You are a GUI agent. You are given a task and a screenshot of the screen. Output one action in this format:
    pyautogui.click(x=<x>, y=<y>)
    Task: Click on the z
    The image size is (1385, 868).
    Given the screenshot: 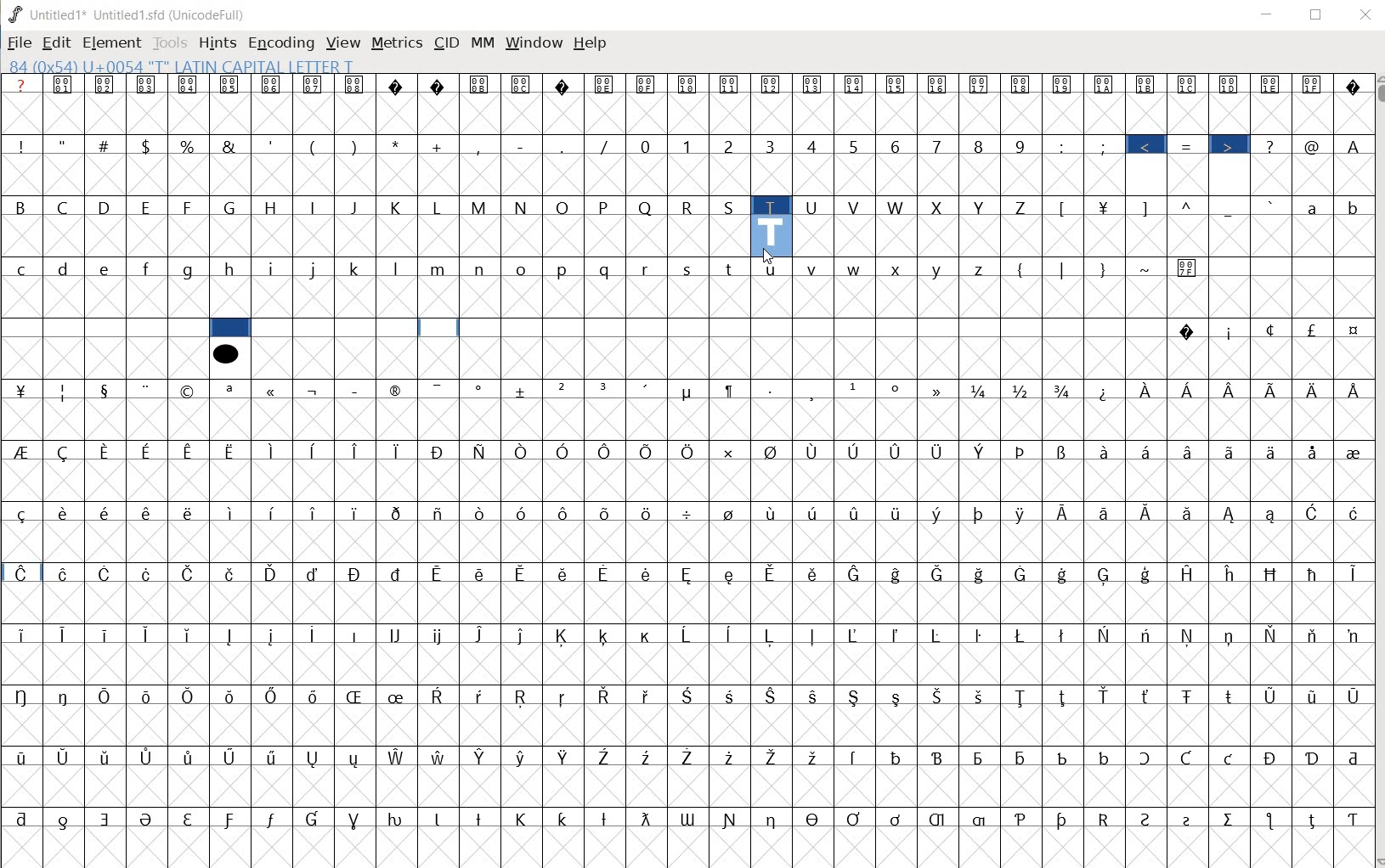 What is the action you would take?
    pyautogui.click(x=981, y=268)
    